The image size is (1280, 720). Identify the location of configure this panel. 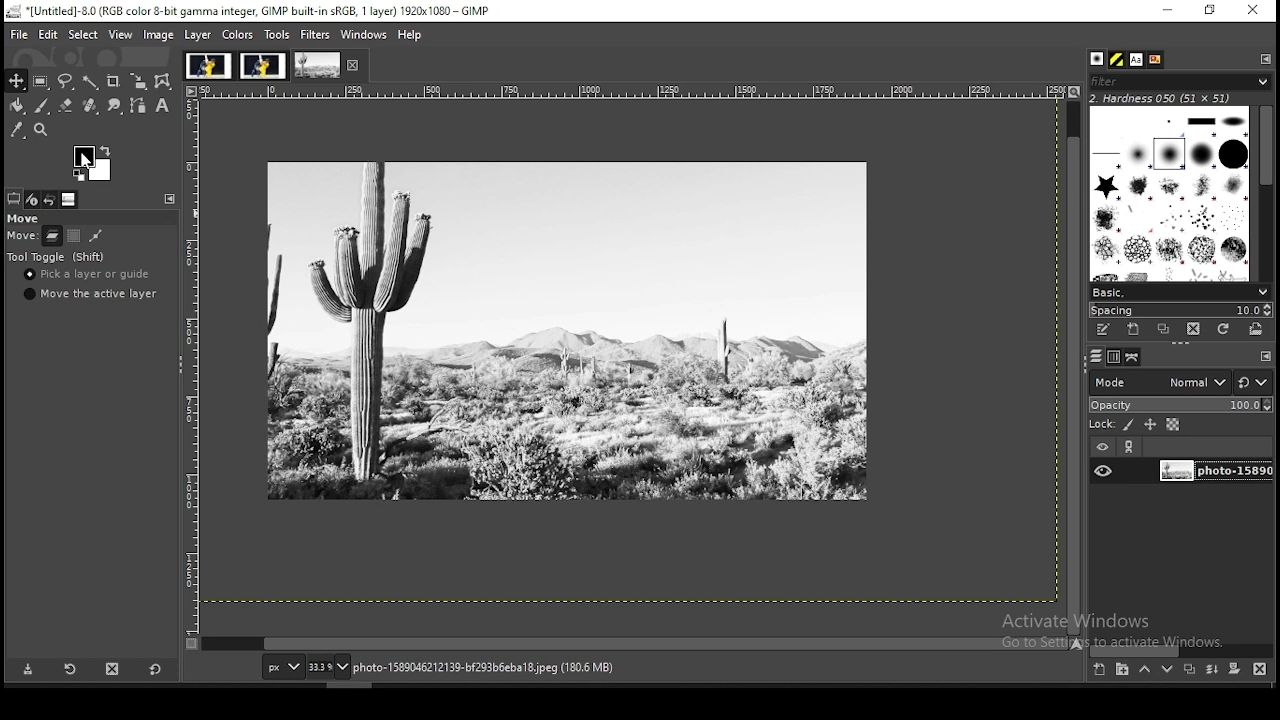
(170, 199).